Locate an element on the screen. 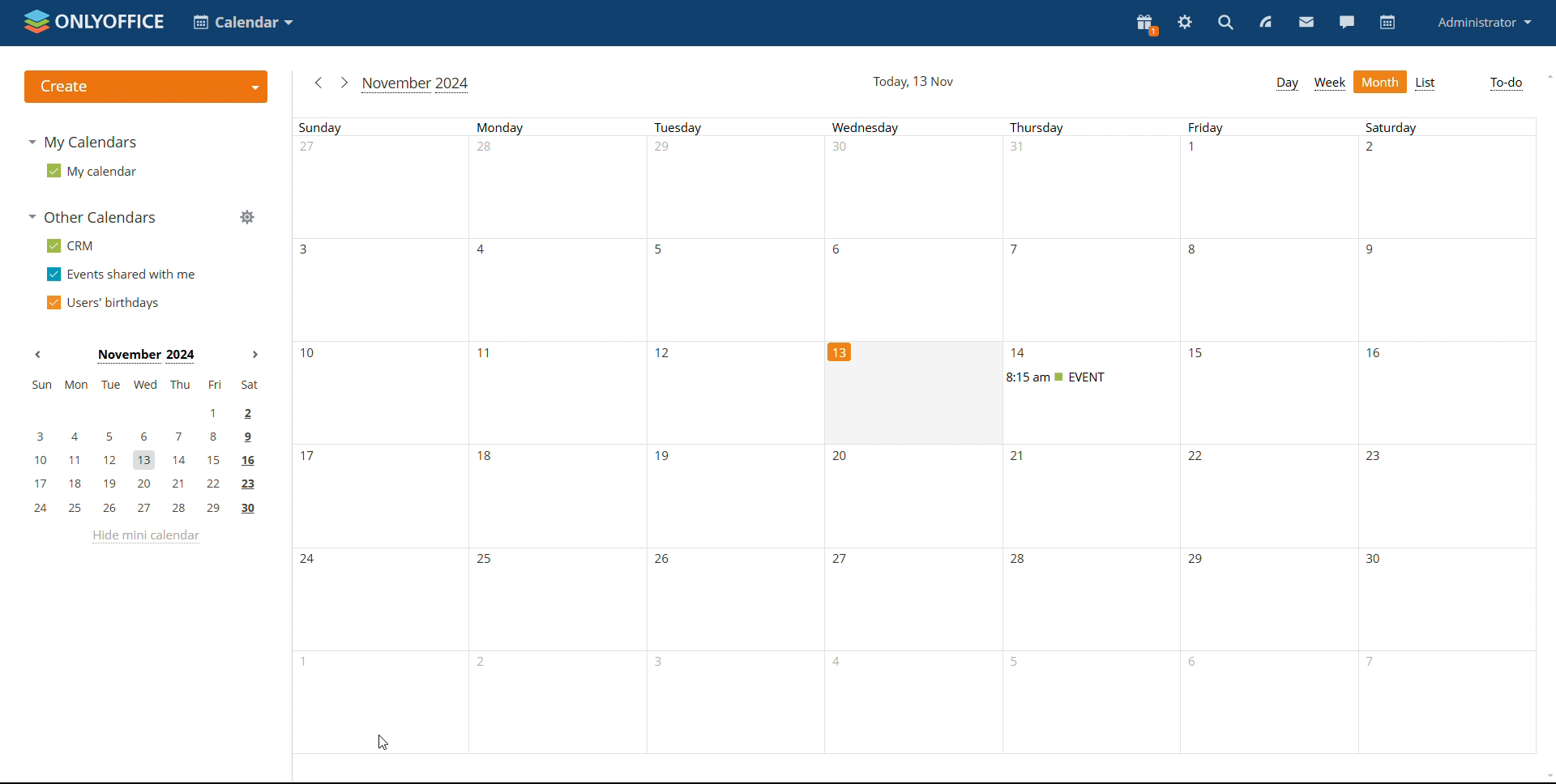 This screenshot has width=1556, height=784. 24, 25, 26, 27, 28, 29, 30 is located at coordinates (145, 509).